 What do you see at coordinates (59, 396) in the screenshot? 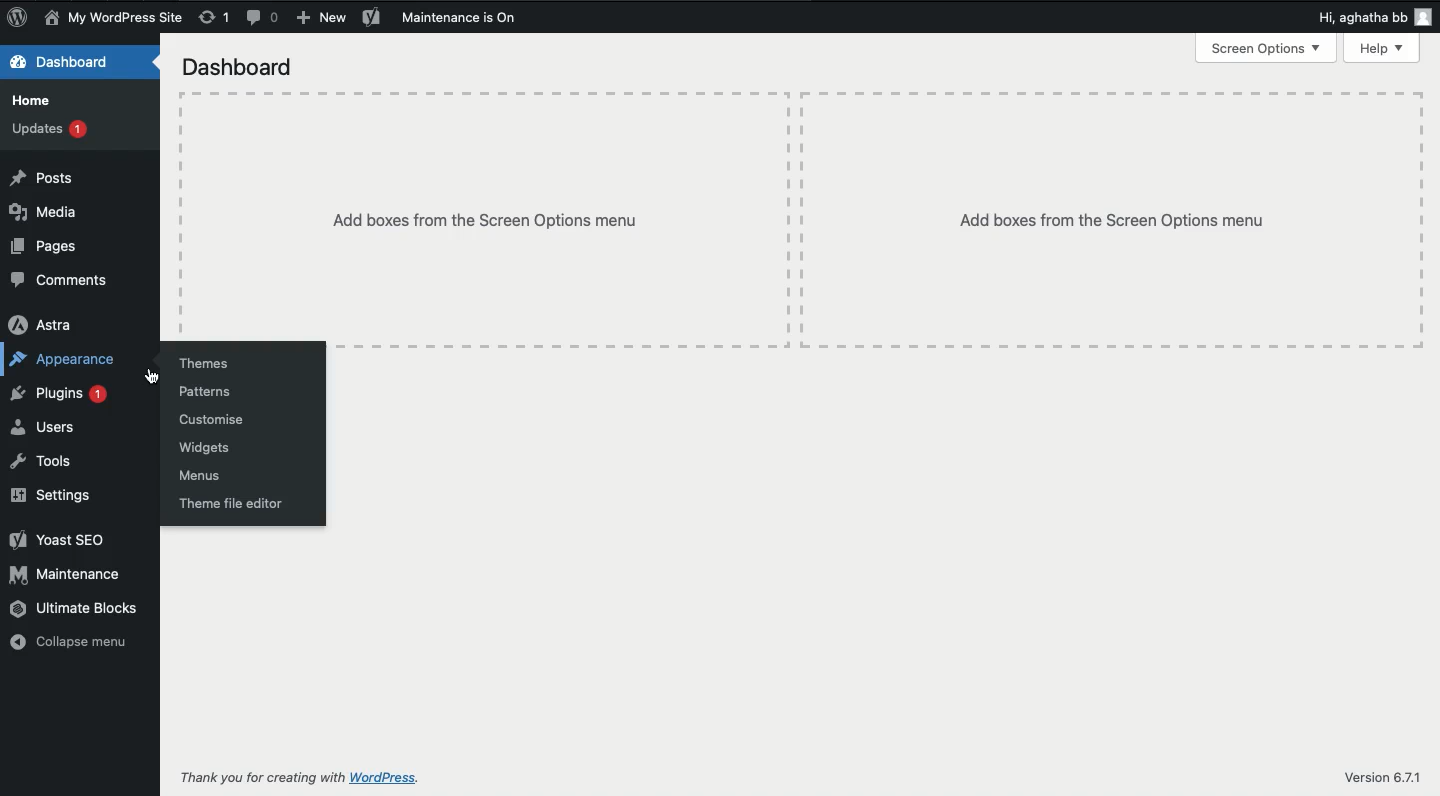
I see `Plugins` at bounding box center [59, 396].